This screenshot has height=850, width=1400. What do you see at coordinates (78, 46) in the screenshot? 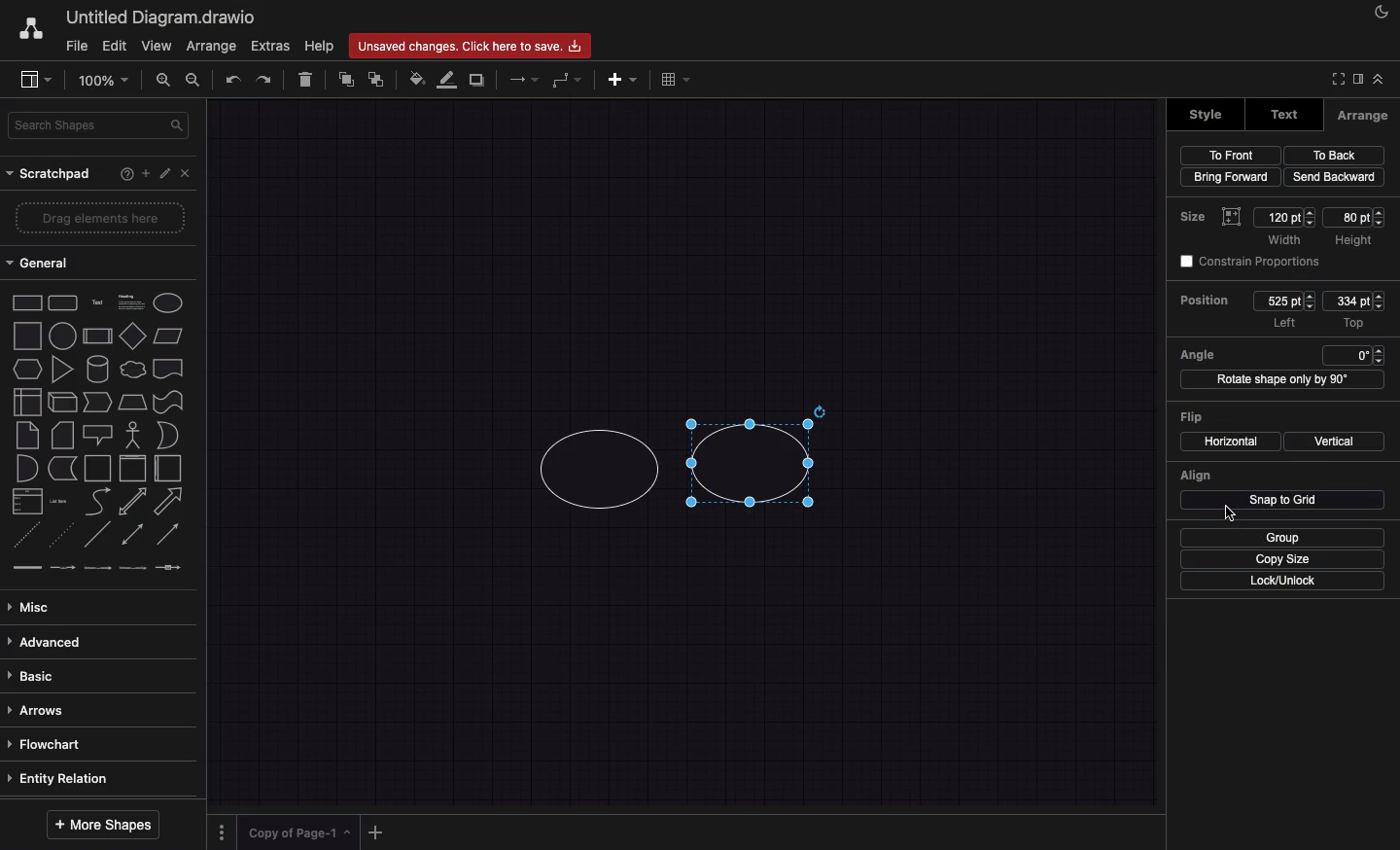
I see `file` at bounding box center [78, 46].